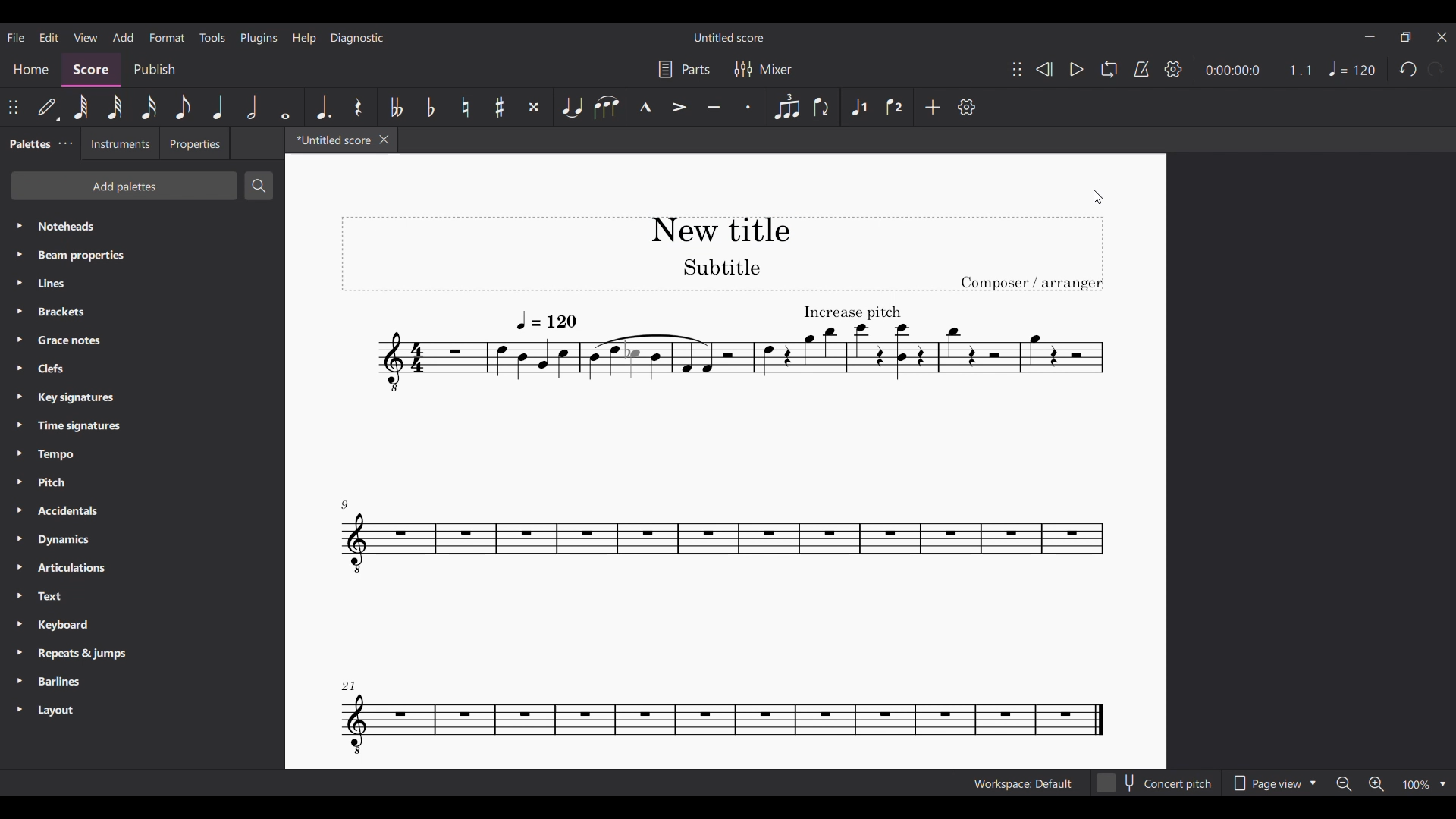  Describe the element at coordinates (143, 682) in the screenshot. I see `Barlines` at that location.